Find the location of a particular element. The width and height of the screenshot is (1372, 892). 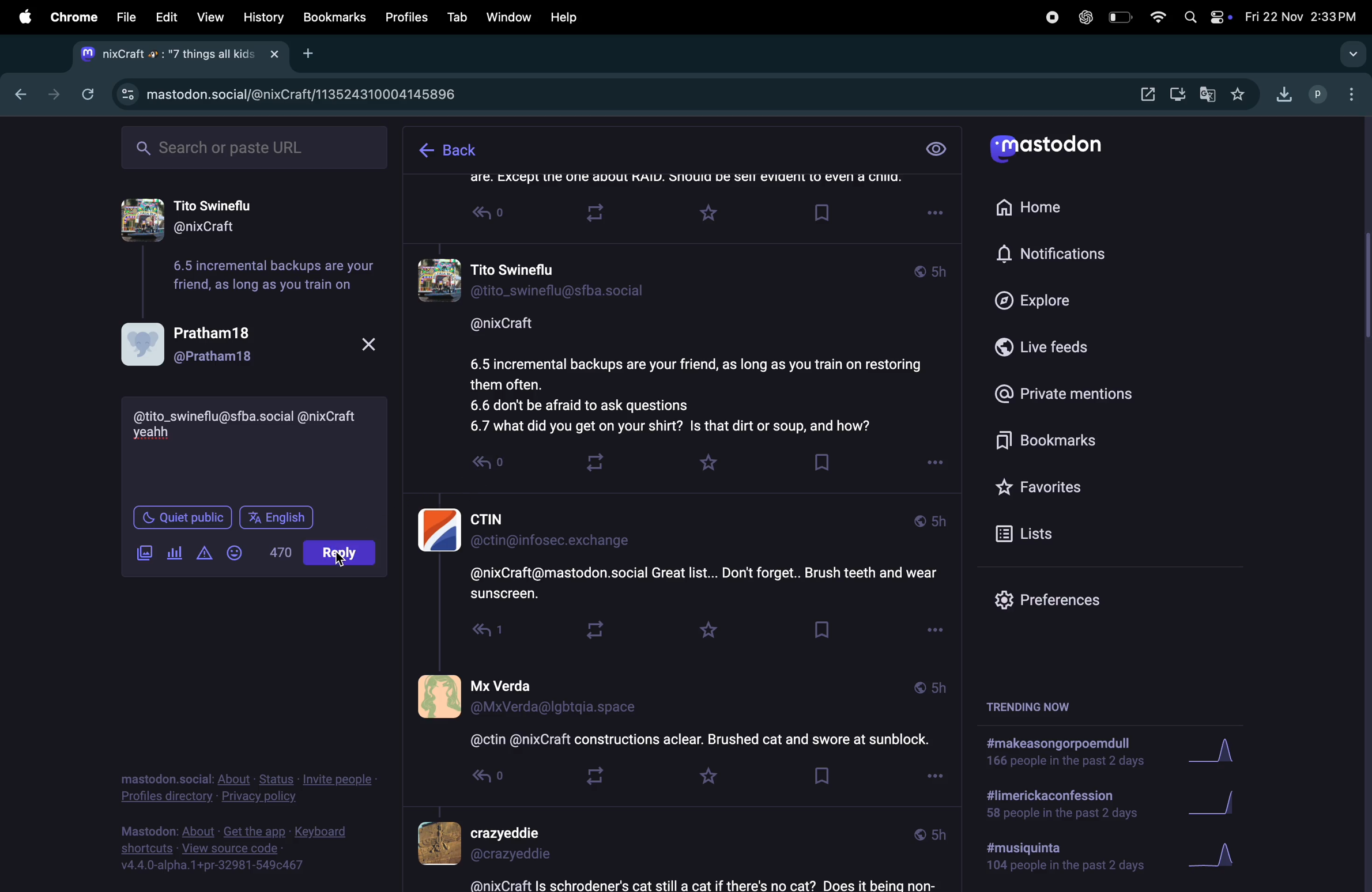

Mastodon: About - Get the app - Keyboard
shortcuts - View source code -
v4.4.0-alpha.1+pr-32981-549¢c467 is located at coordinates (238, 846).